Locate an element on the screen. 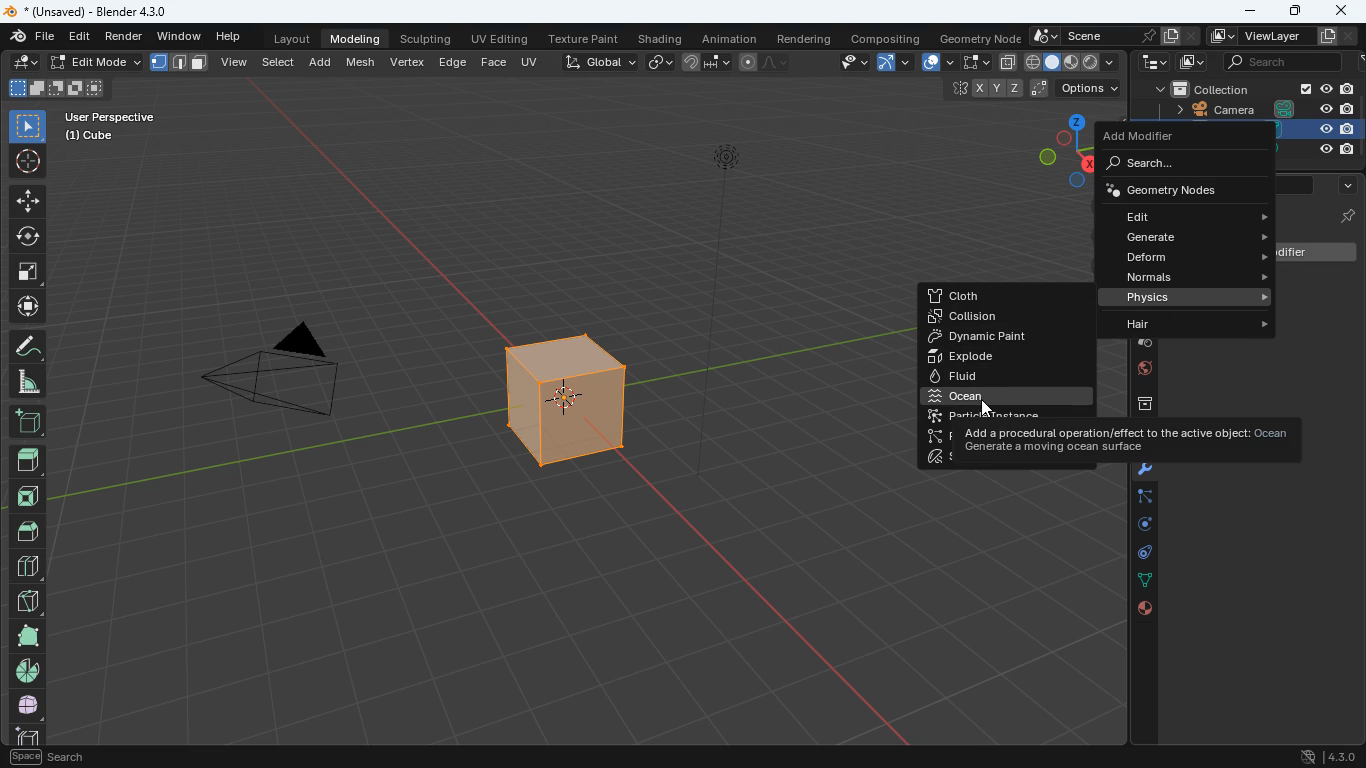 The width and height of the screenshot is (1366, 768). drop is located at coordinates (1134, 348).